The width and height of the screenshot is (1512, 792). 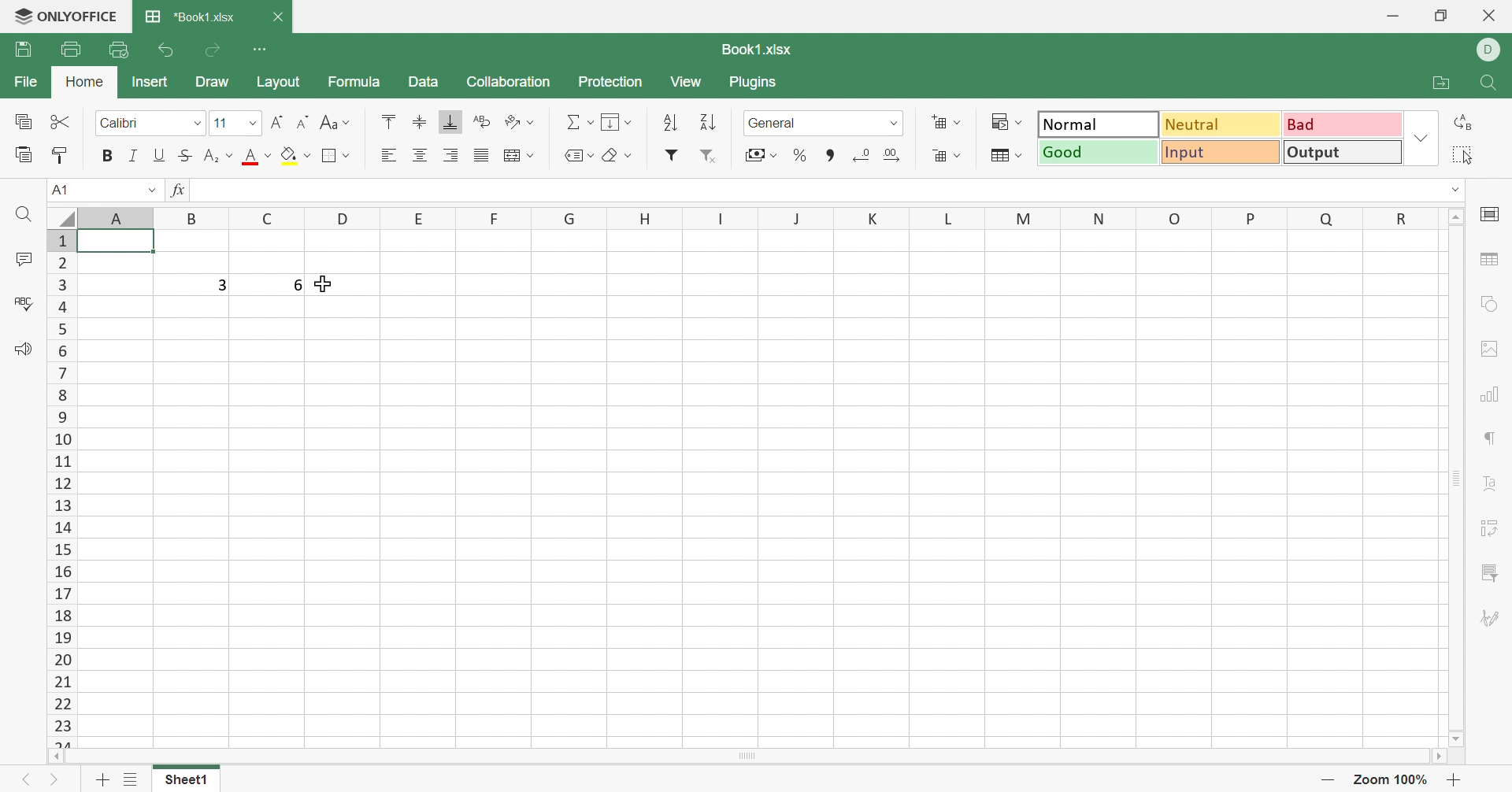 I want to click on Fill color, so click(x=295, y=156).